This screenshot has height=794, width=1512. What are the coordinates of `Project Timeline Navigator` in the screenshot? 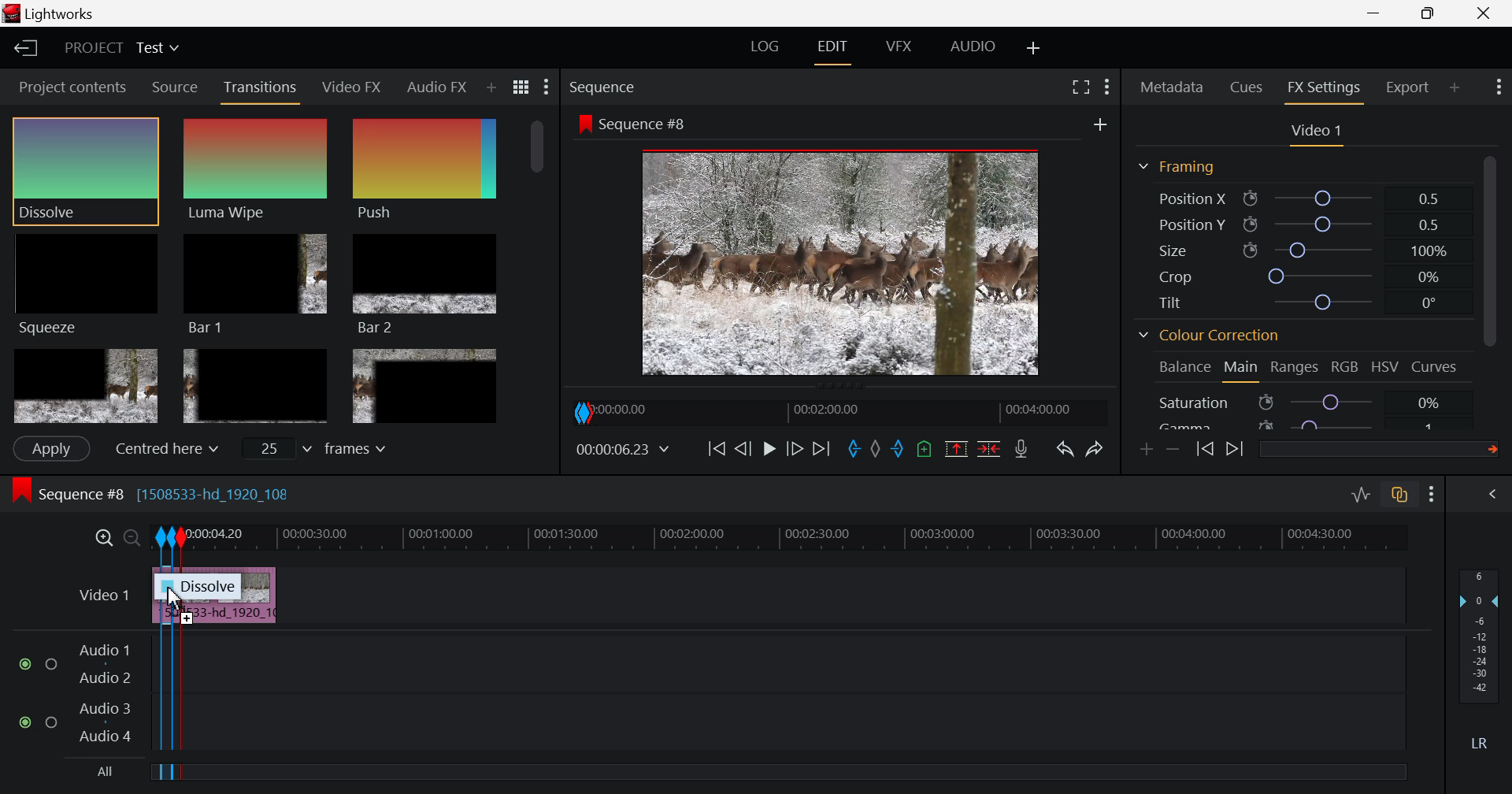 It's located at (838, 412).